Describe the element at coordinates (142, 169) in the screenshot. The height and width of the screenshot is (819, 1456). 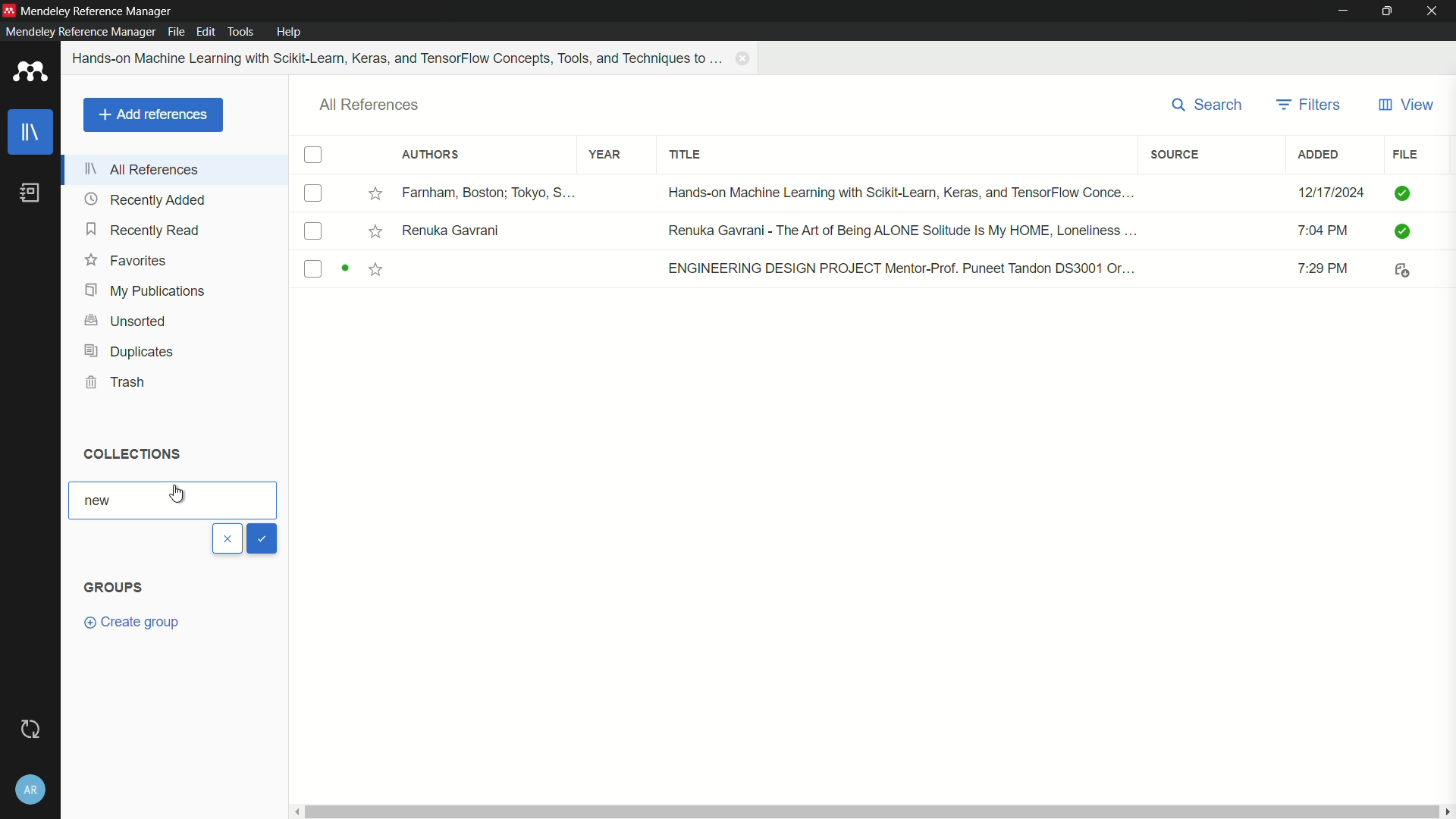
I see `all references` at that location.